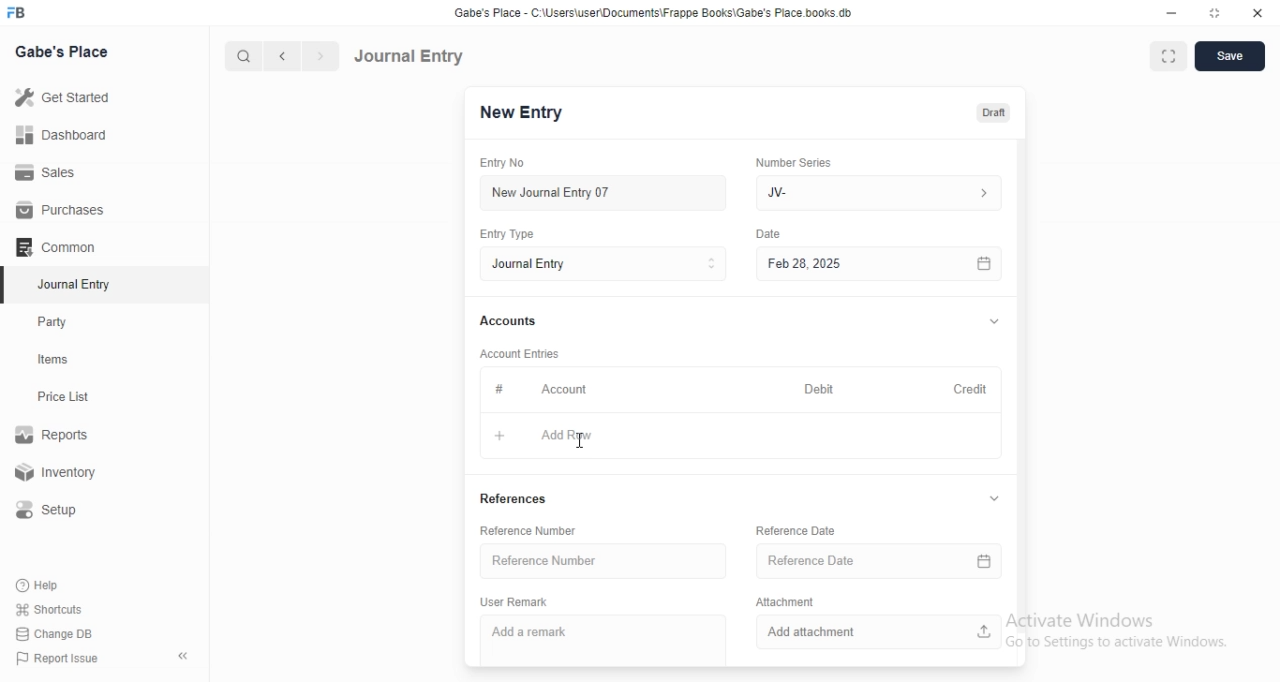  I want to click on Add a remark, so click(540, 632).